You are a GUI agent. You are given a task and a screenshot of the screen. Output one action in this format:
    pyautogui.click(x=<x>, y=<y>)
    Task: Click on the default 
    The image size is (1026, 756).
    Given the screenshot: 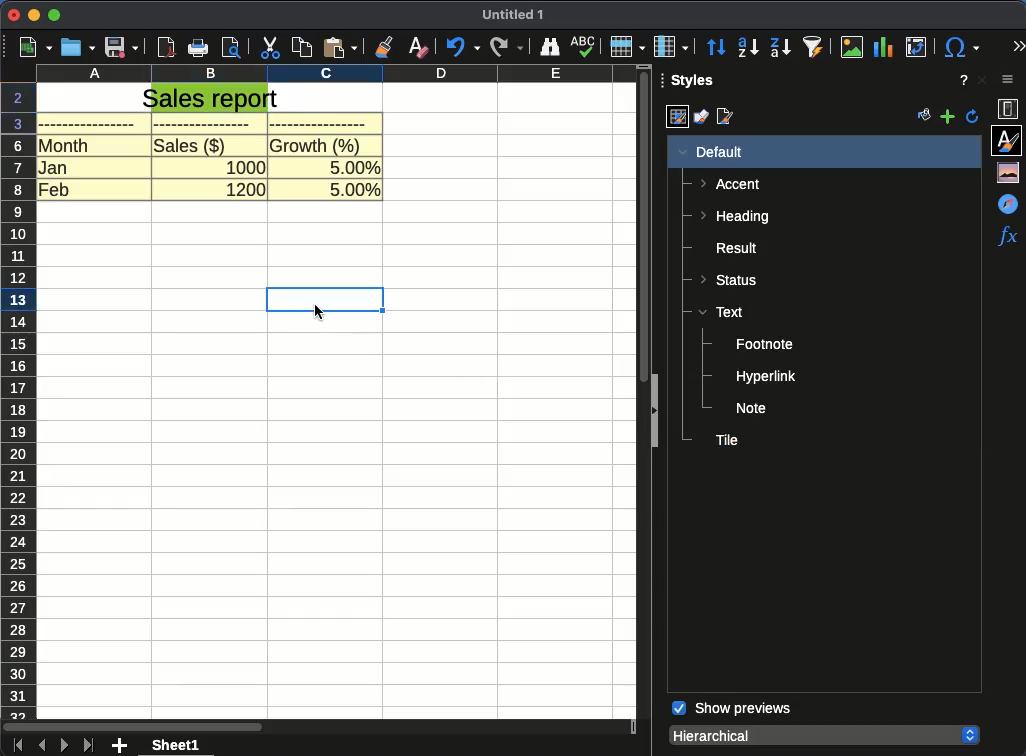 What is the action you would take?
    pyautogui.click(x=710, y=152)
    